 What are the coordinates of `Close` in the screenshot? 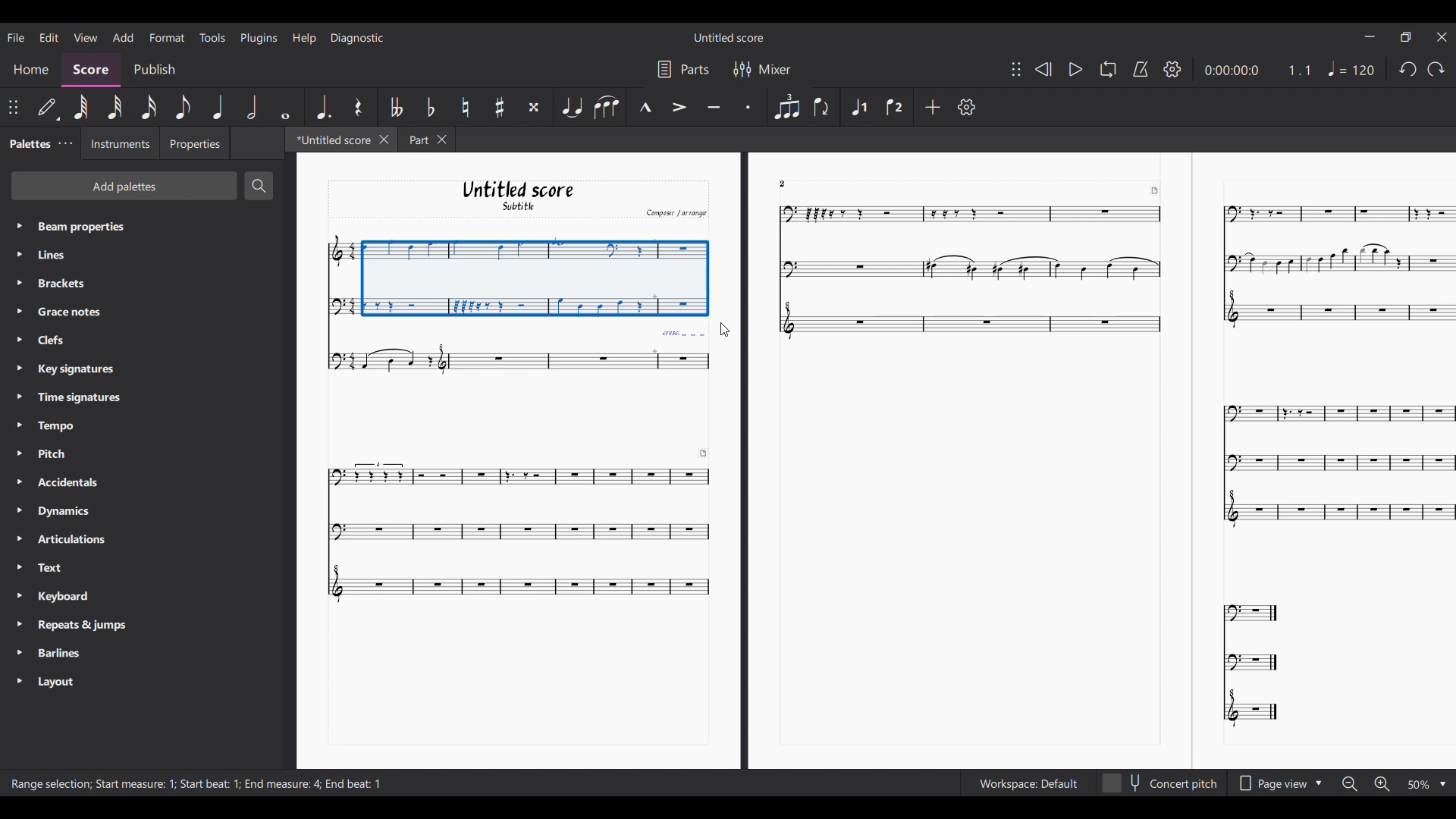 It's located at (444, 140).